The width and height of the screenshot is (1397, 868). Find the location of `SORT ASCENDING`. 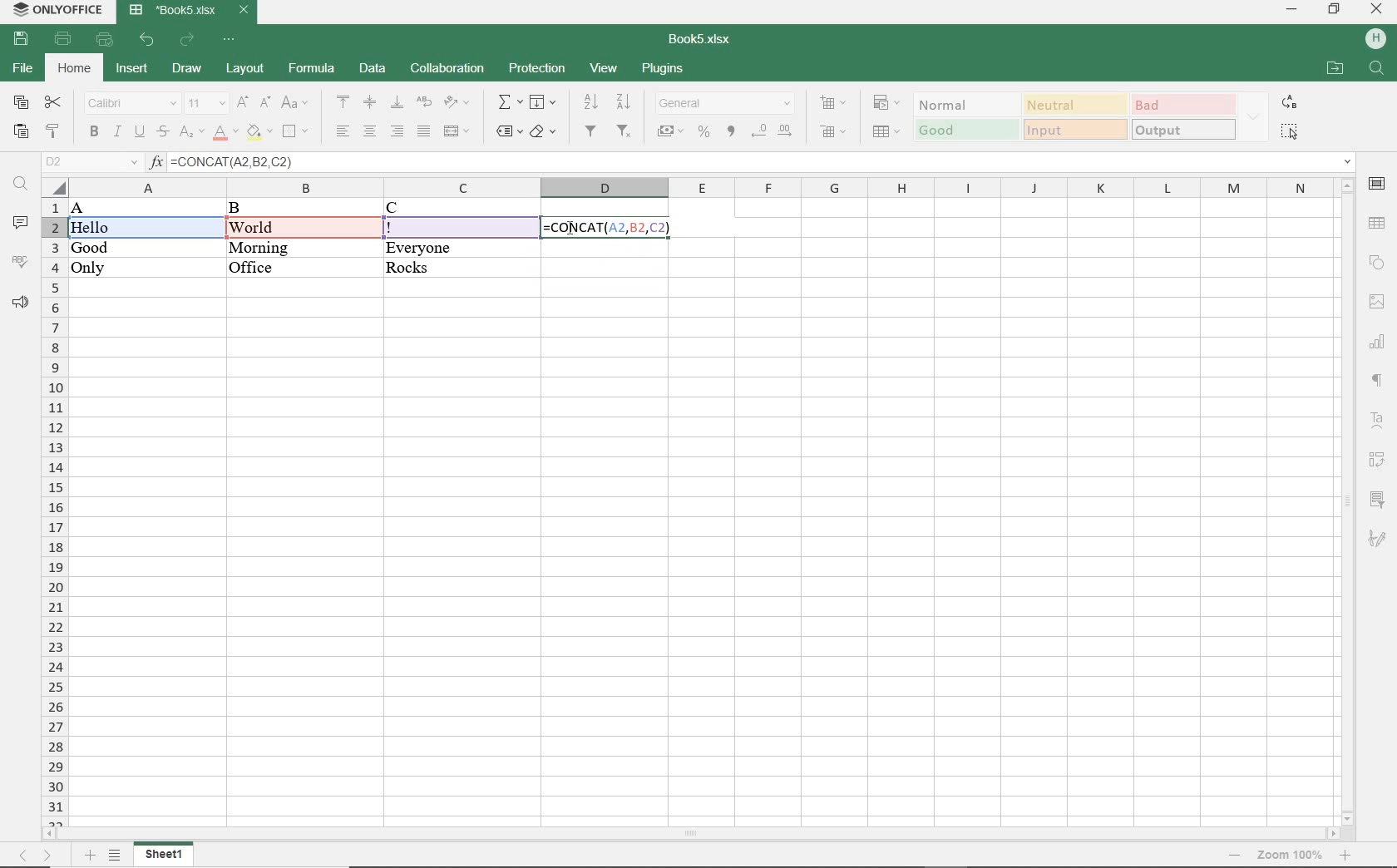

SORT ASCENDING is located at coordinates (590, 102).